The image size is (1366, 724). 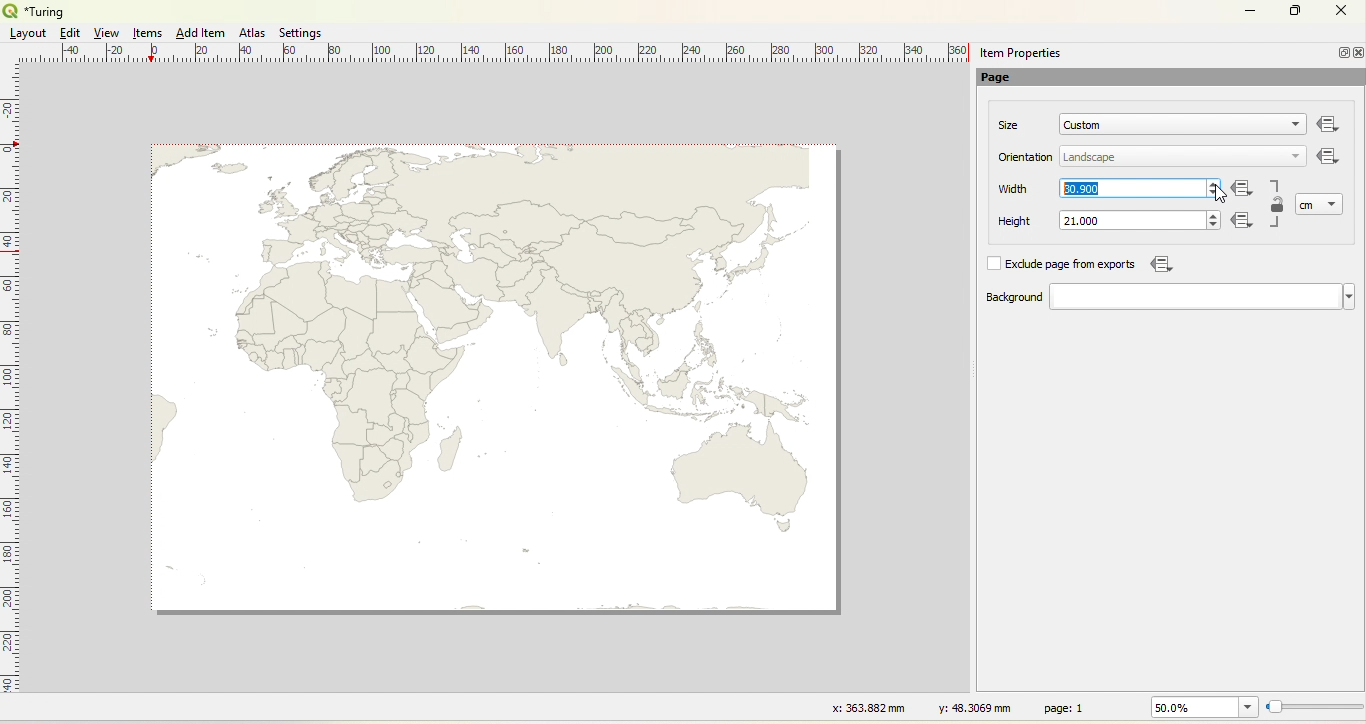 I want to click on Layout, so click(x=28, y=33).